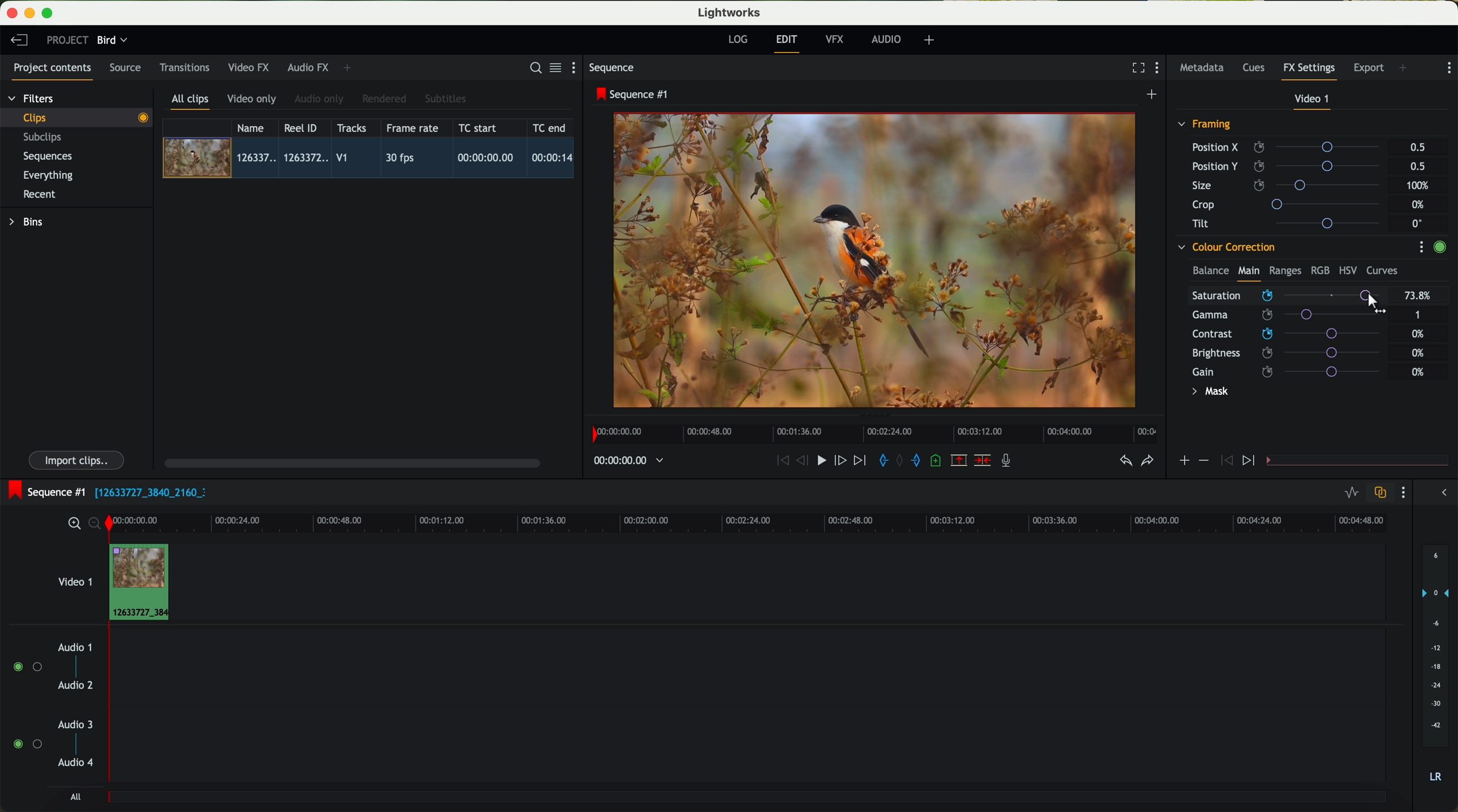 The image size is (1458, 812). What do you see at coordinates (633, 94) in the screenshot?
I see `sequence #1` at bounding box center [633, 94].